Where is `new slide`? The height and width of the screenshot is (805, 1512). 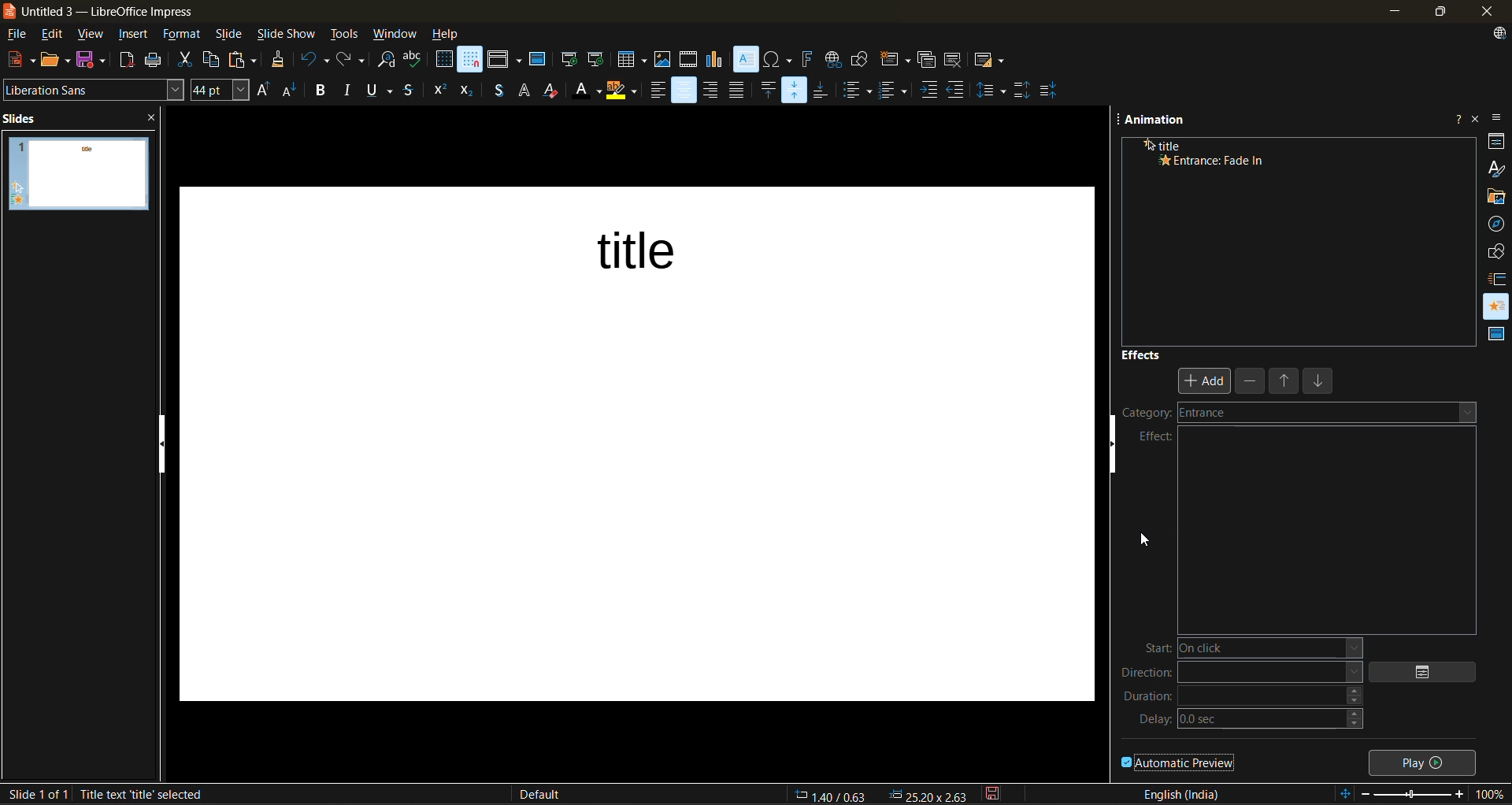 new slide is located at coordinates (894, 61).